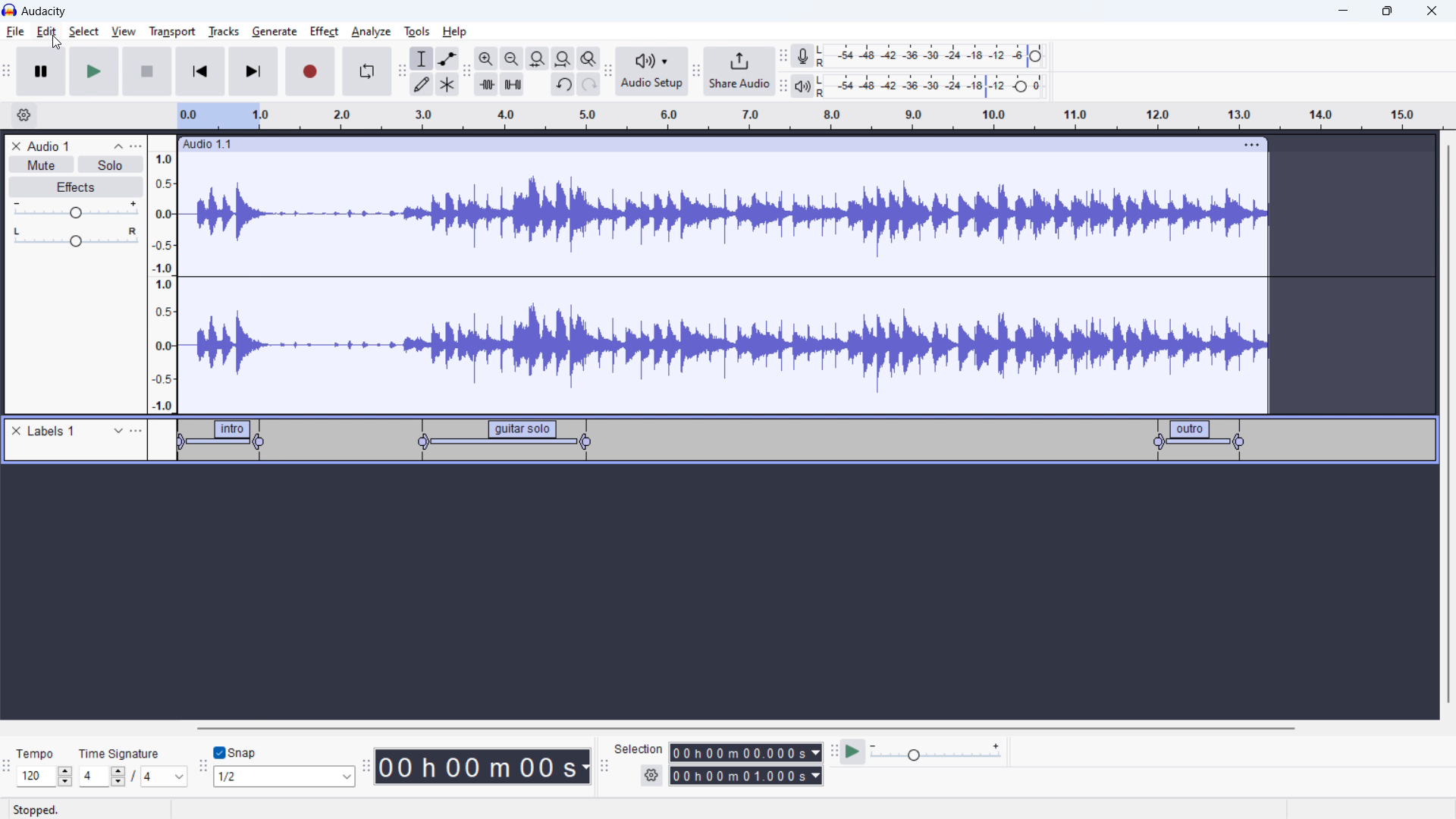 The image size is (1456, 819). What do you see at coordinates (39, 753) in the screenshot?
I see `tempo` at bounding box center [39, 753].